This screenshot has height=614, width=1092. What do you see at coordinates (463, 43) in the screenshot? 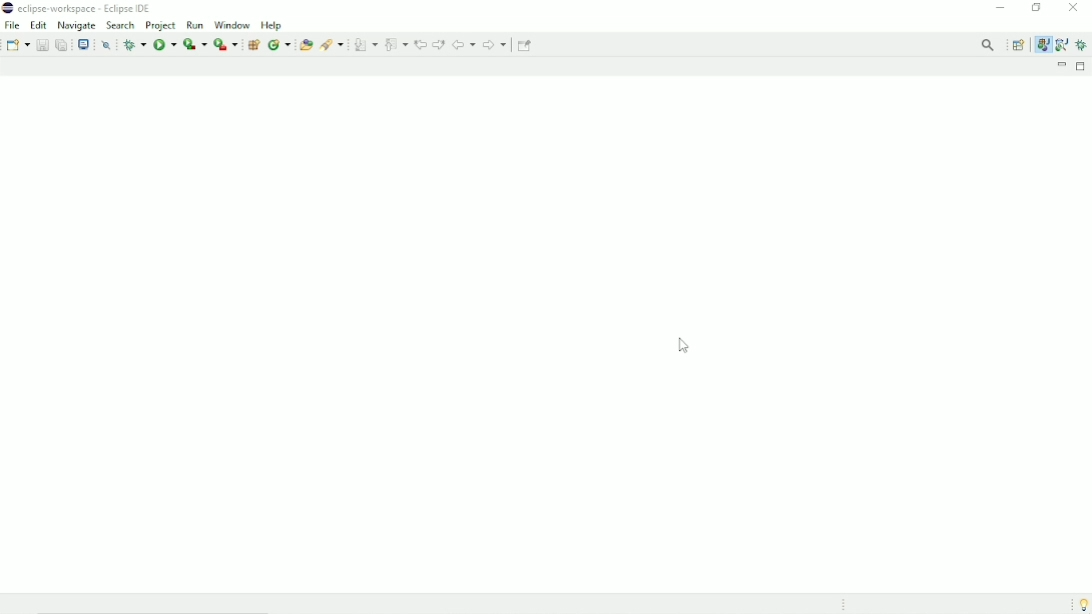
I see `Back` at bounding box center [463, 43].